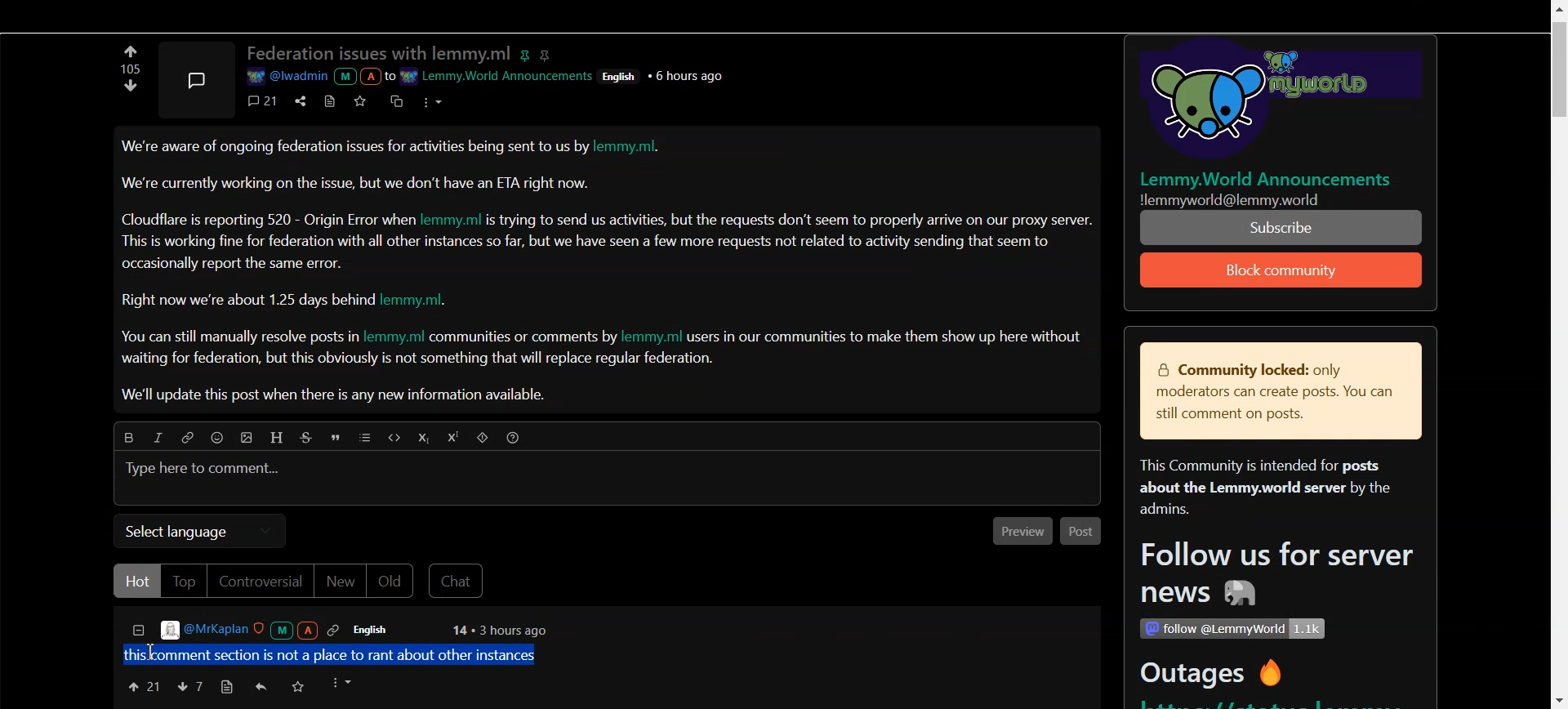 The height and width of the screenshot is (709, 1568). Describe the element at coordinates (430, 100) in the screenshot. I see `options` at that location.